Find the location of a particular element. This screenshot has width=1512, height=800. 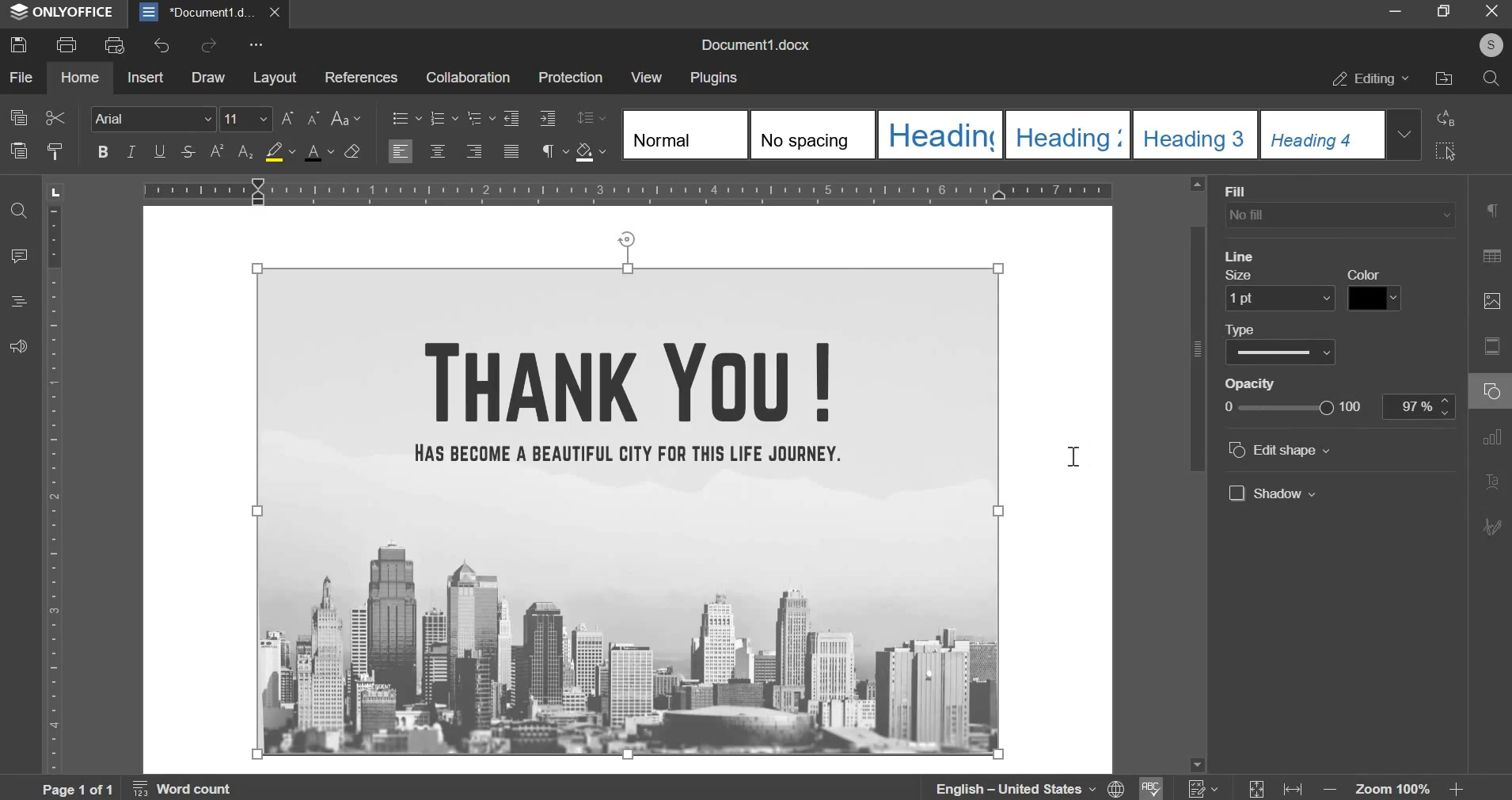

align left is located at coordinates (400, 150).